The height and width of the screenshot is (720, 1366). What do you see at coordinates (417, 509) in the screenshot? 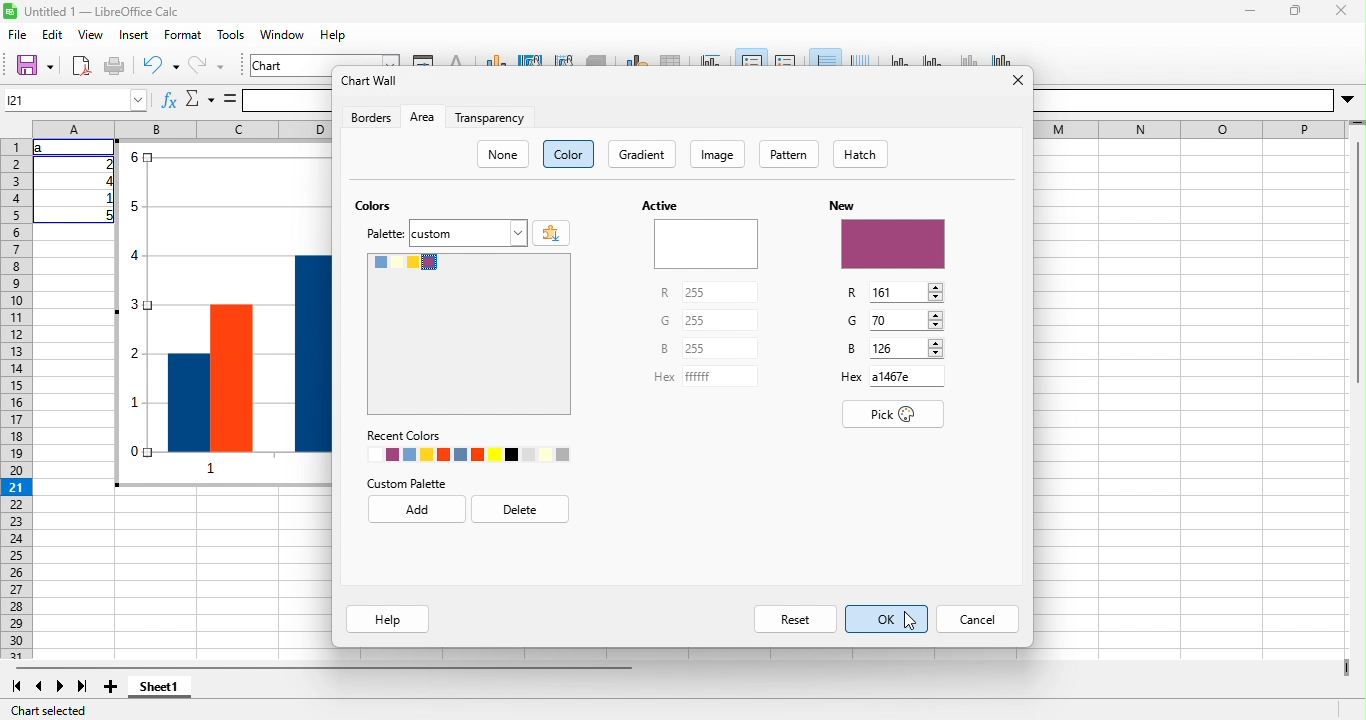
I see `add` at bounding box center [417, 509].